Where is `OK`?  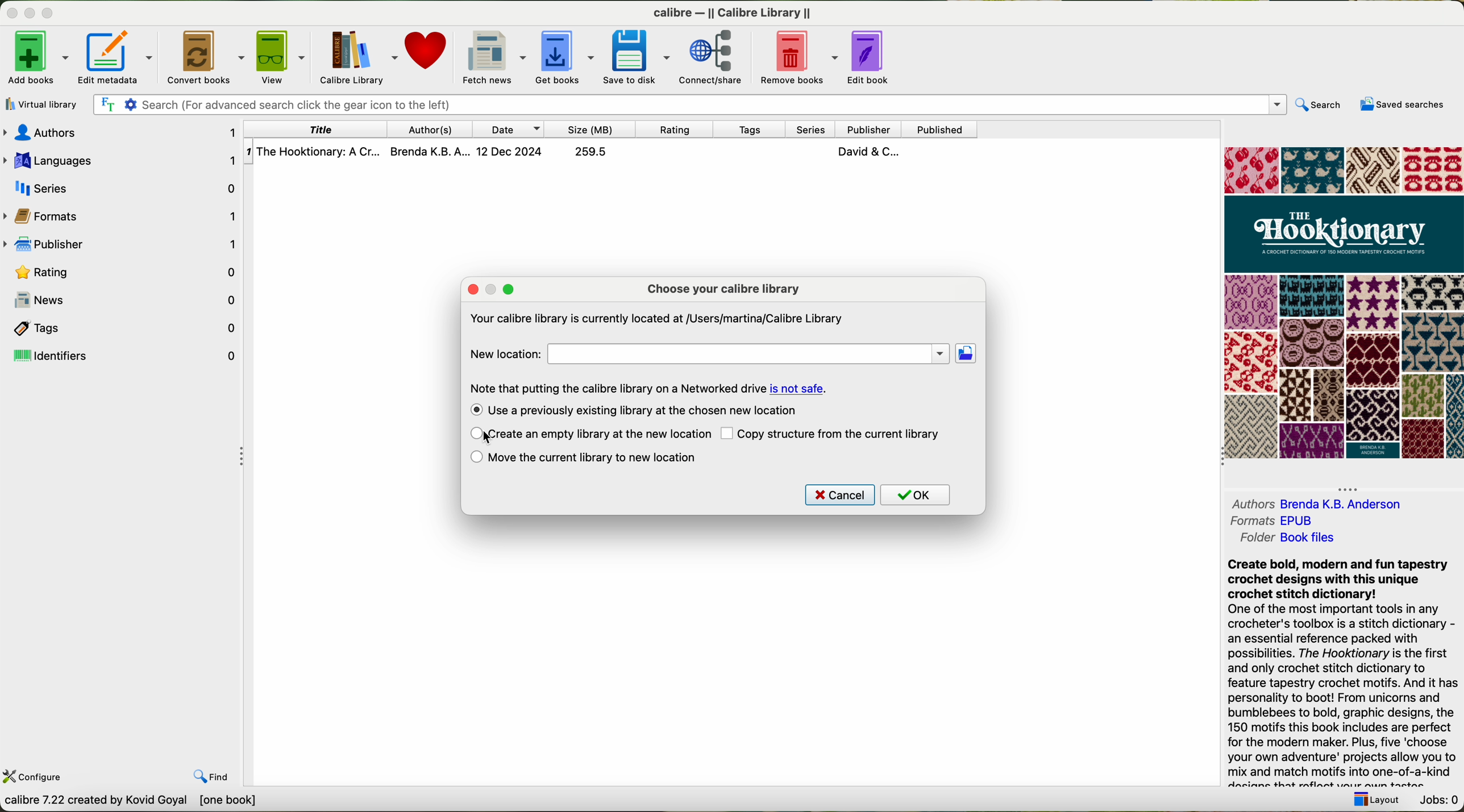
OK is located at coordinates (920, 495).